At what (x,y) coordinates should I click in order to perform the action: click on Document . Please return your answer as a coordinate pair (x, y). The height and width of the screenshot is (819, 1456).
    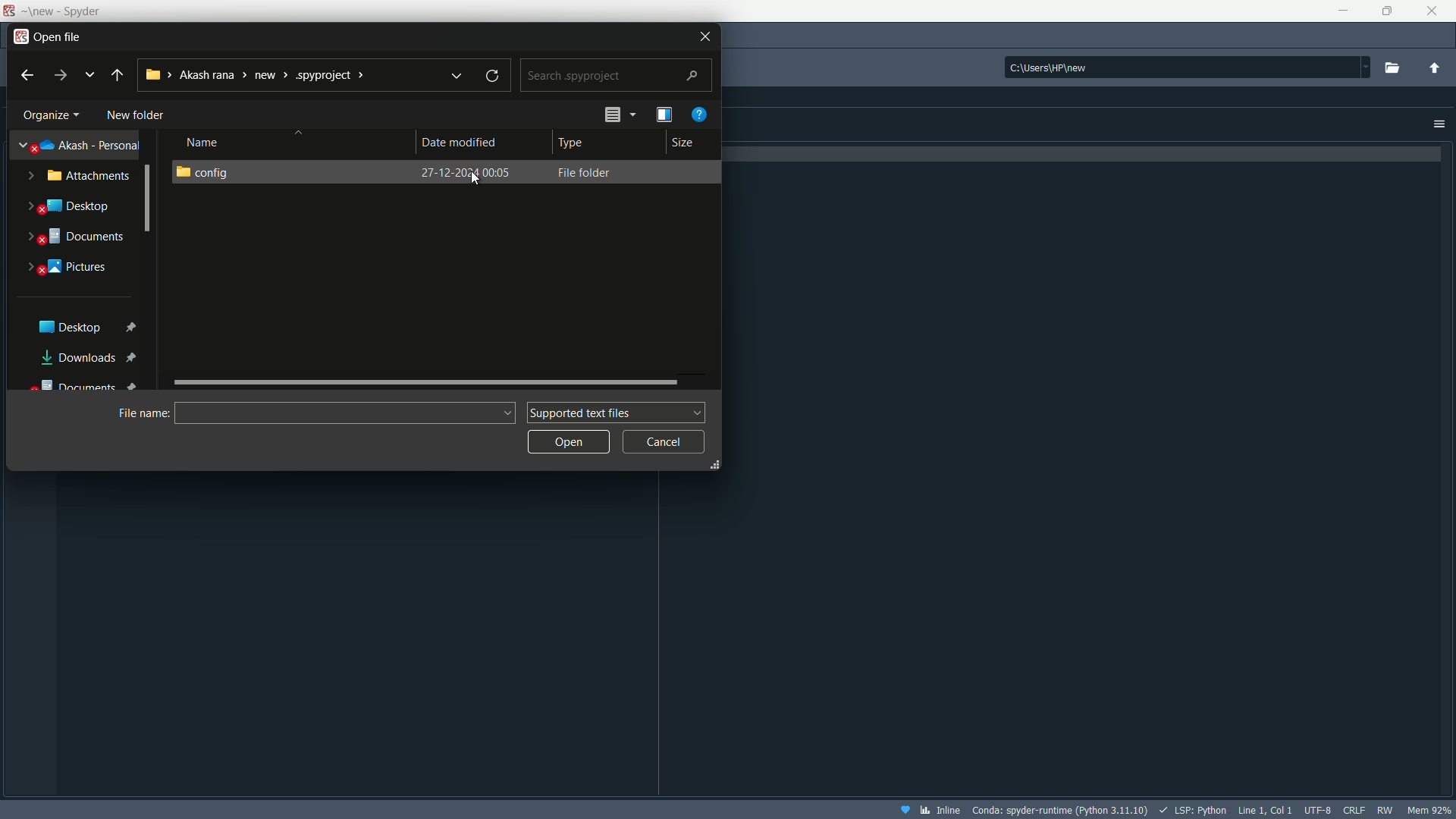
    Looking at the image, I should click on (81, 237).